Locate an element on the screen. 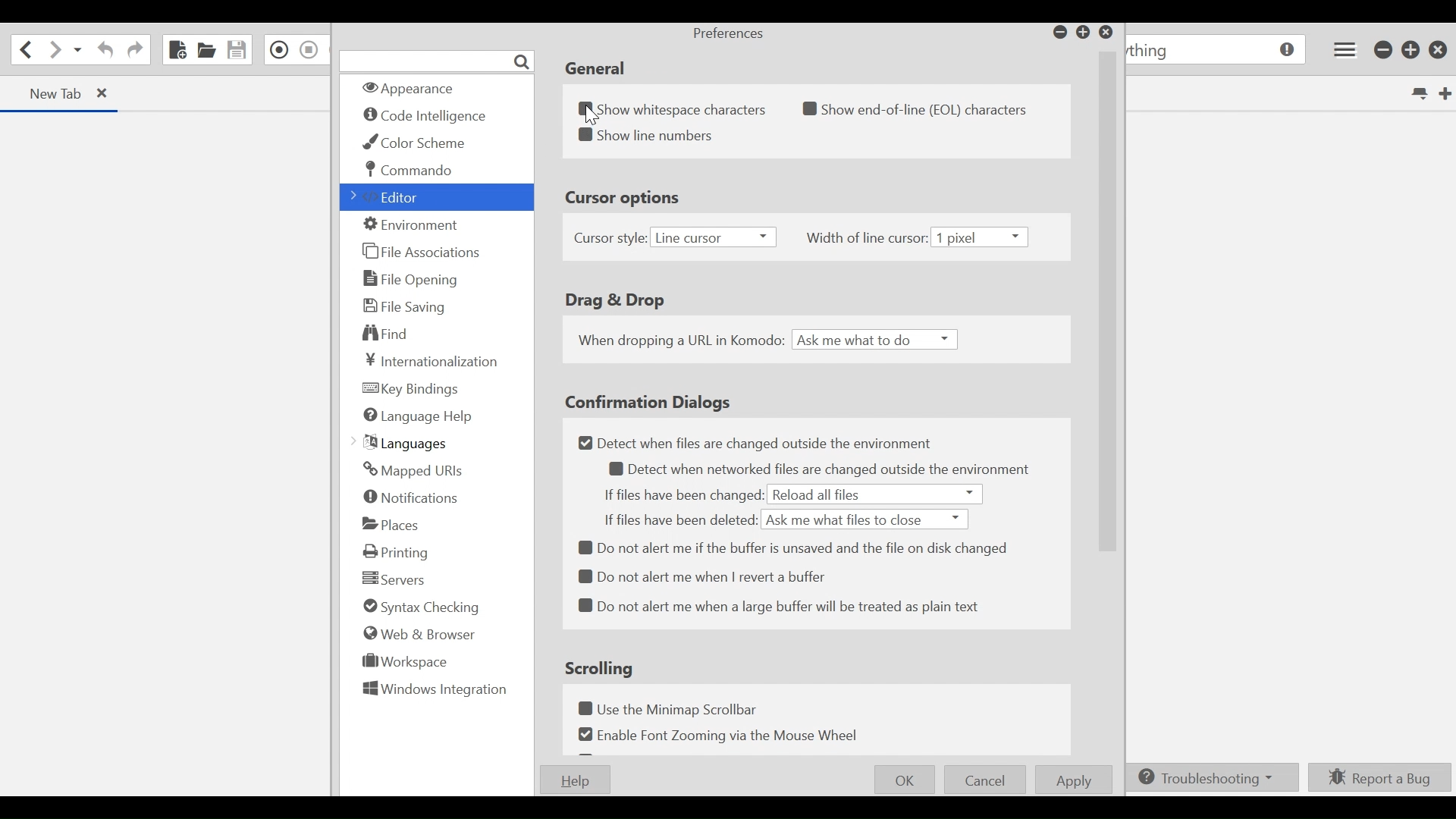  OK is located at coordinates (902, 779).